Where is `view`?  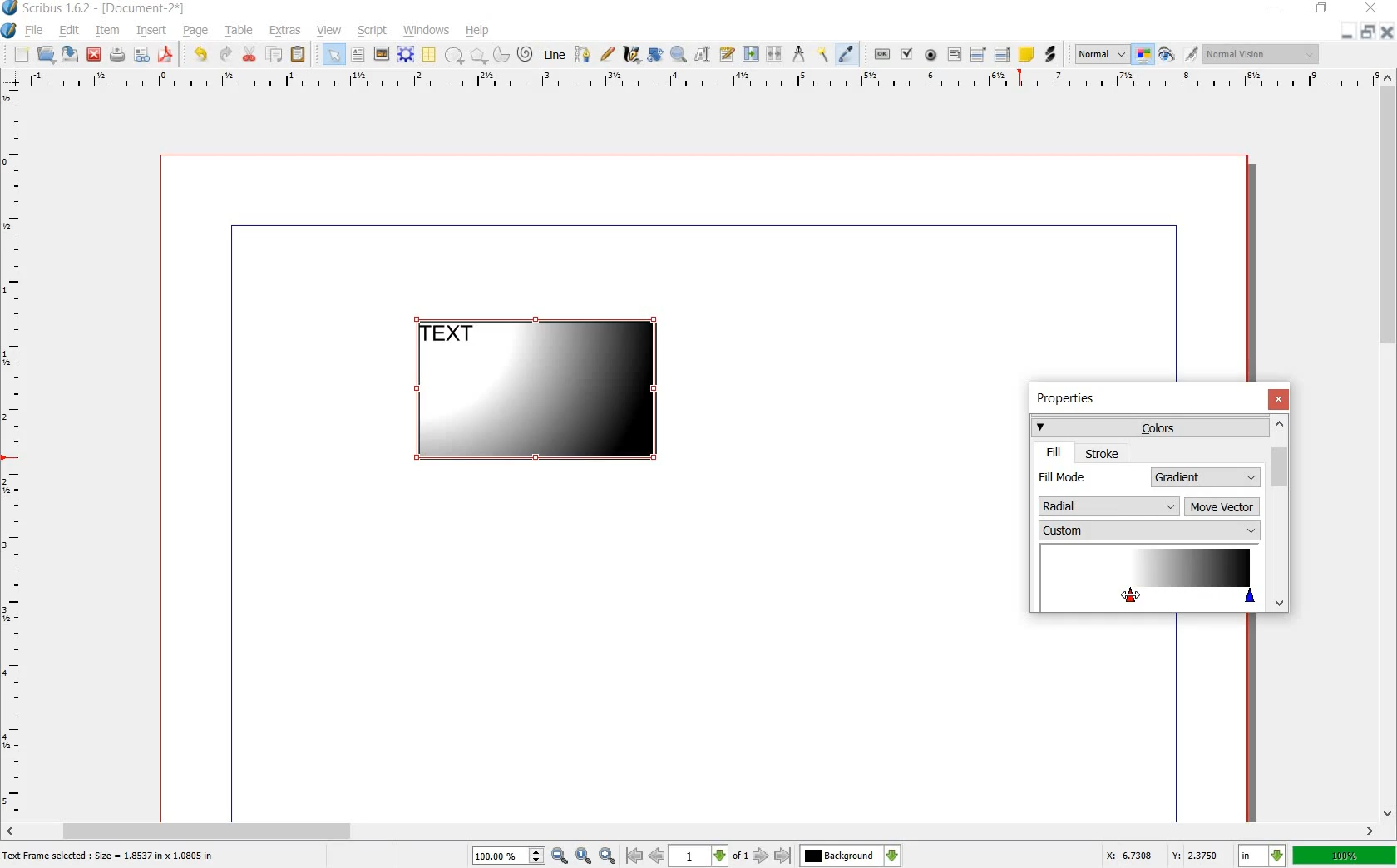 view is located at coordinates (330, 31).